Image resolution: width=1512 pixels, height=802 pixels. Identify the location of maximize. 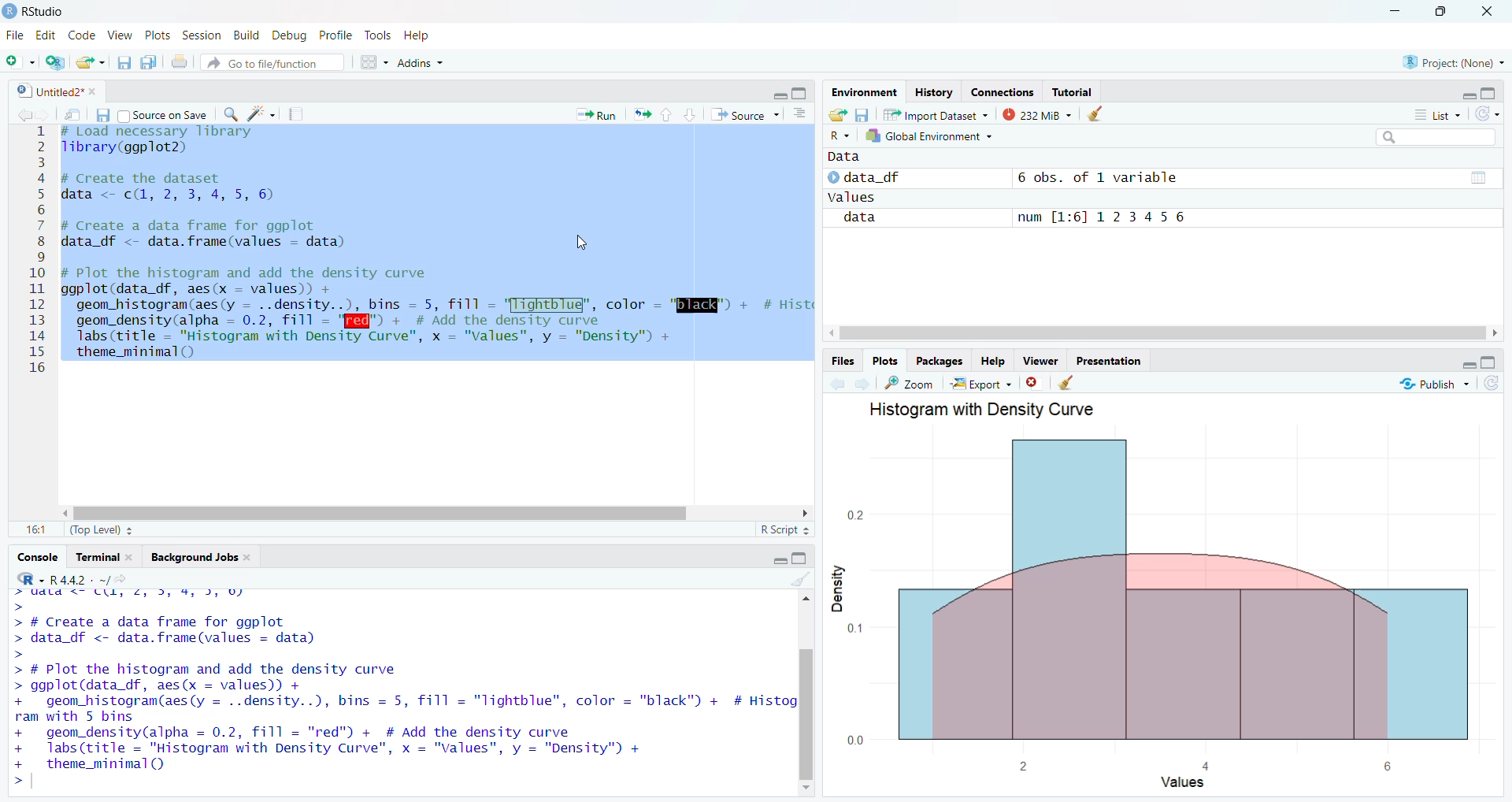
(799, 94).